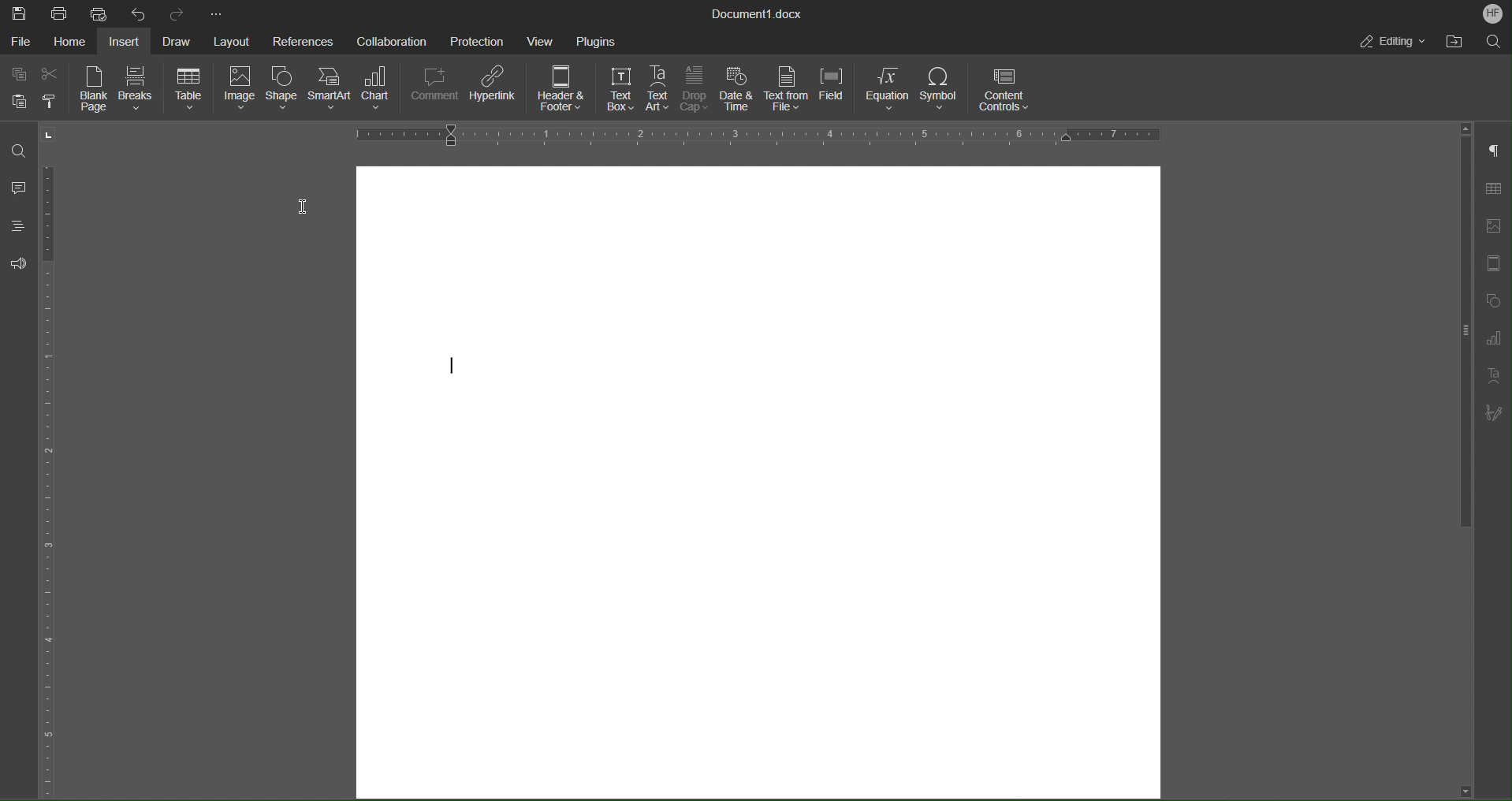 The image size is (1512, 801). I want to click on Copy, so click(19, 74).